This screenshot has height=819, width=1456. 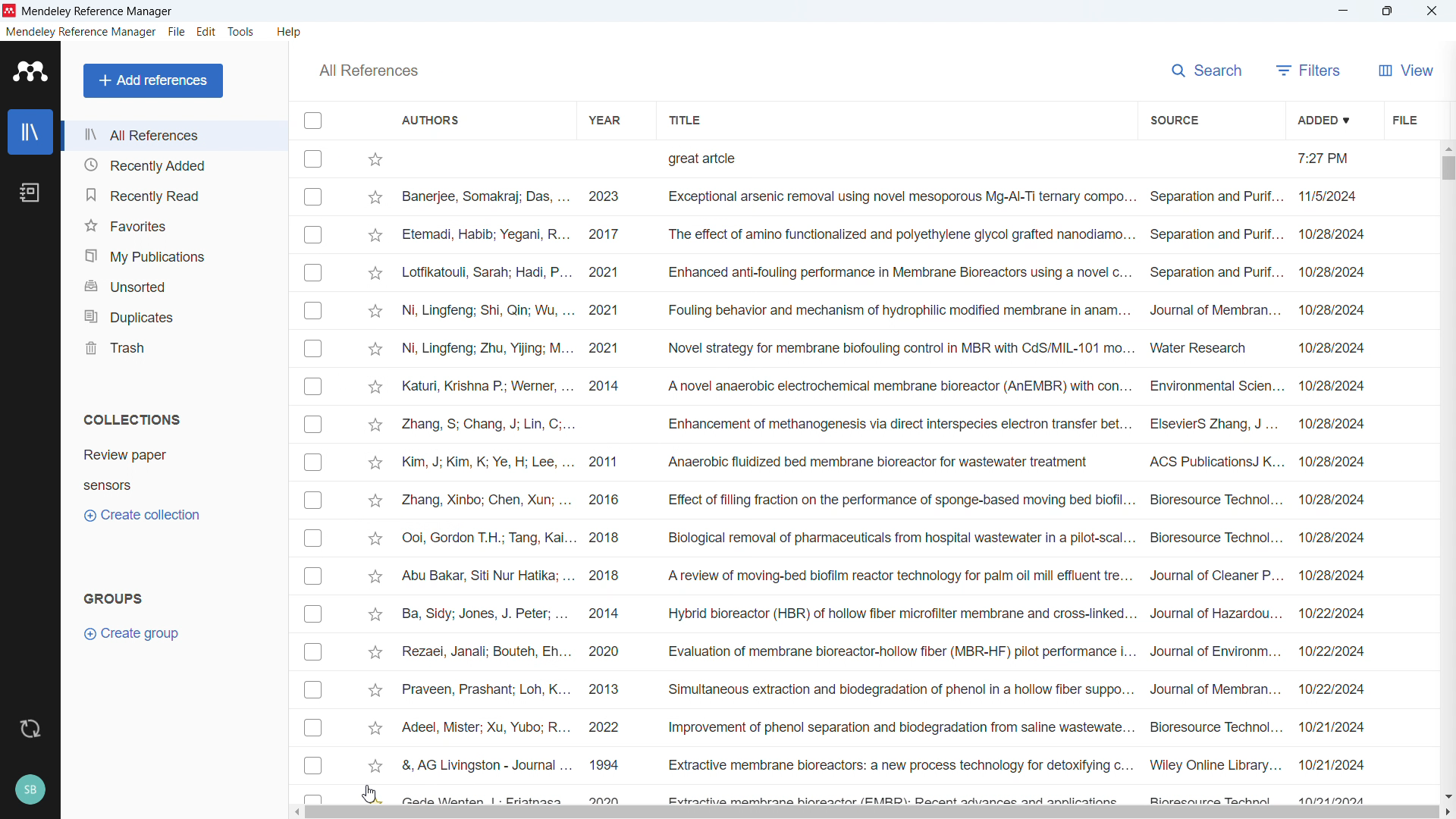 What do you see at coordinates (172, 195) in the screenshot?
I see `Recently read ` at bounding box center [172, 195].